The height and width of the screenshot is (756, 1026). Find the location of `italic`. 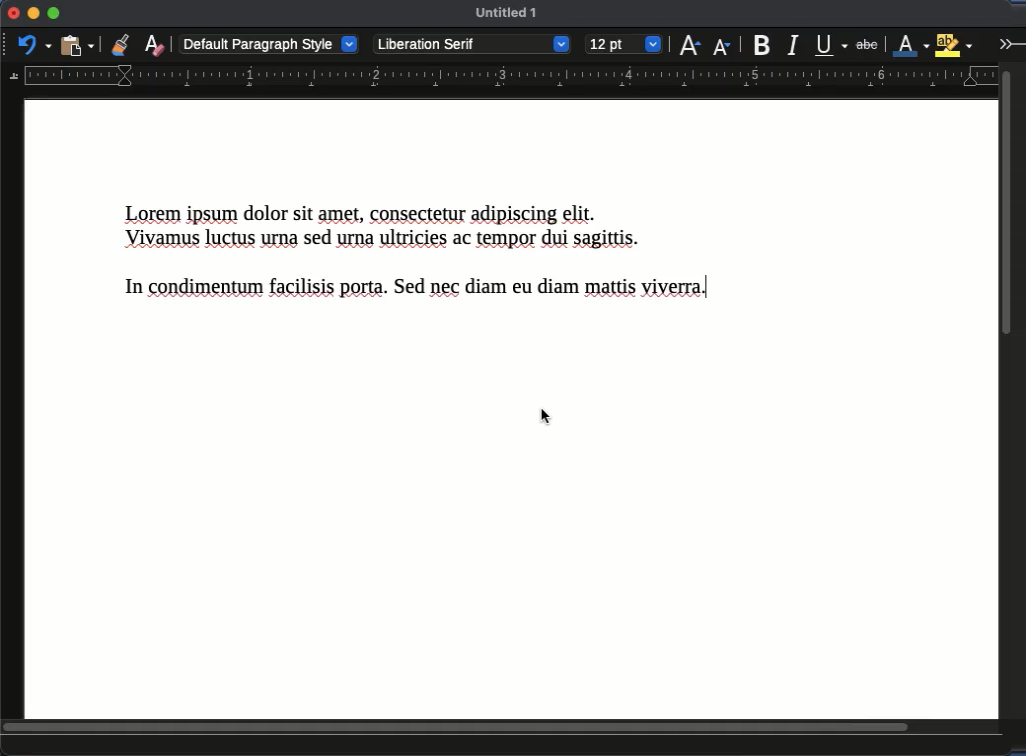

italic is located at coordinates (792, 46).